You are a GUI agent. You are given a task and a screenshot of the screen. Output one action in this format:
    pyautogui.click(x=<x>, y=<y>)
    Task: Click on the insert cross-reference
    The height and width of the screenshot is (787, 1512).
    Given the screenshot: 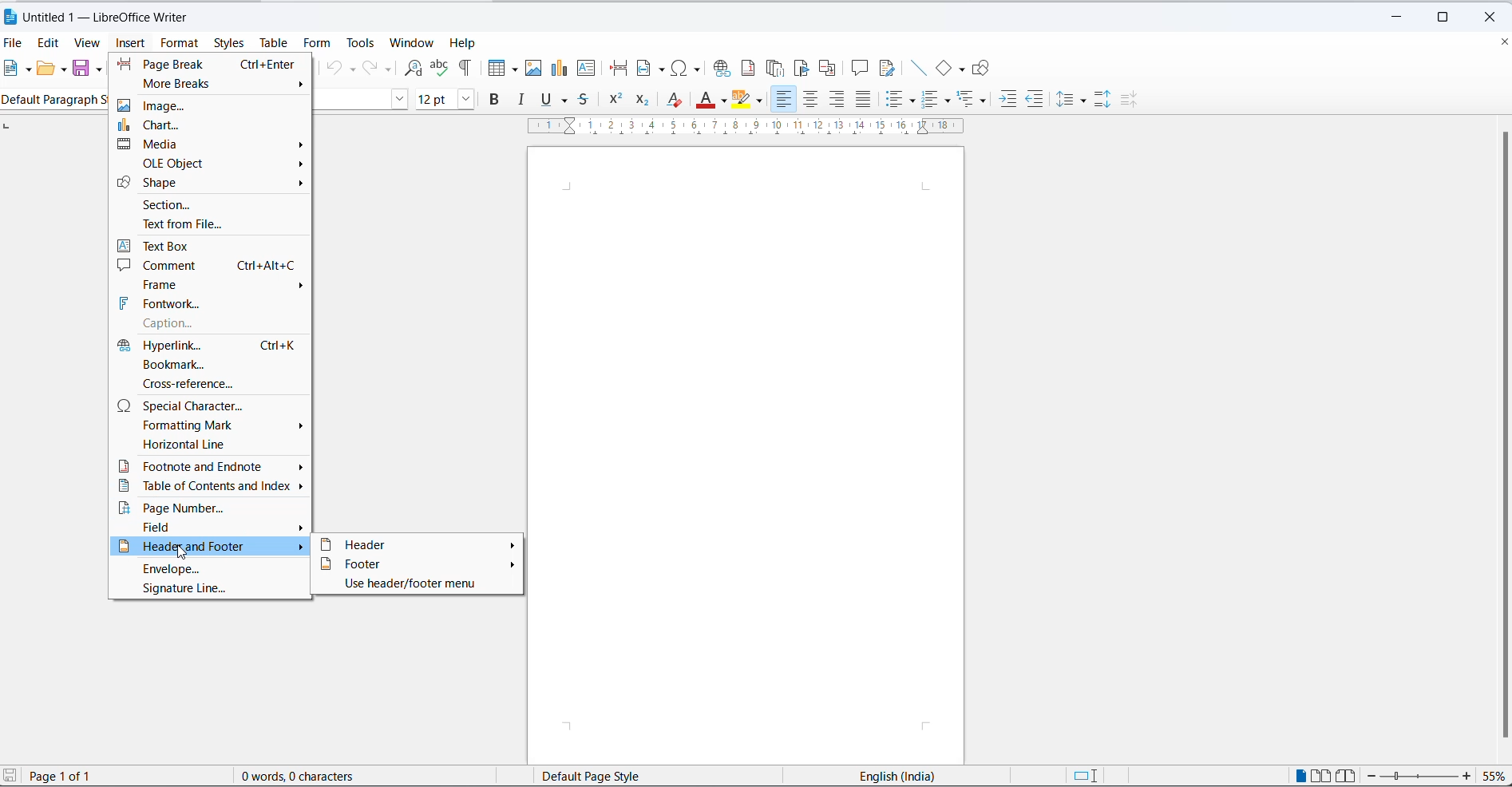 What is the action you would take?
    pyautogui.click(x=832, y=68)
    